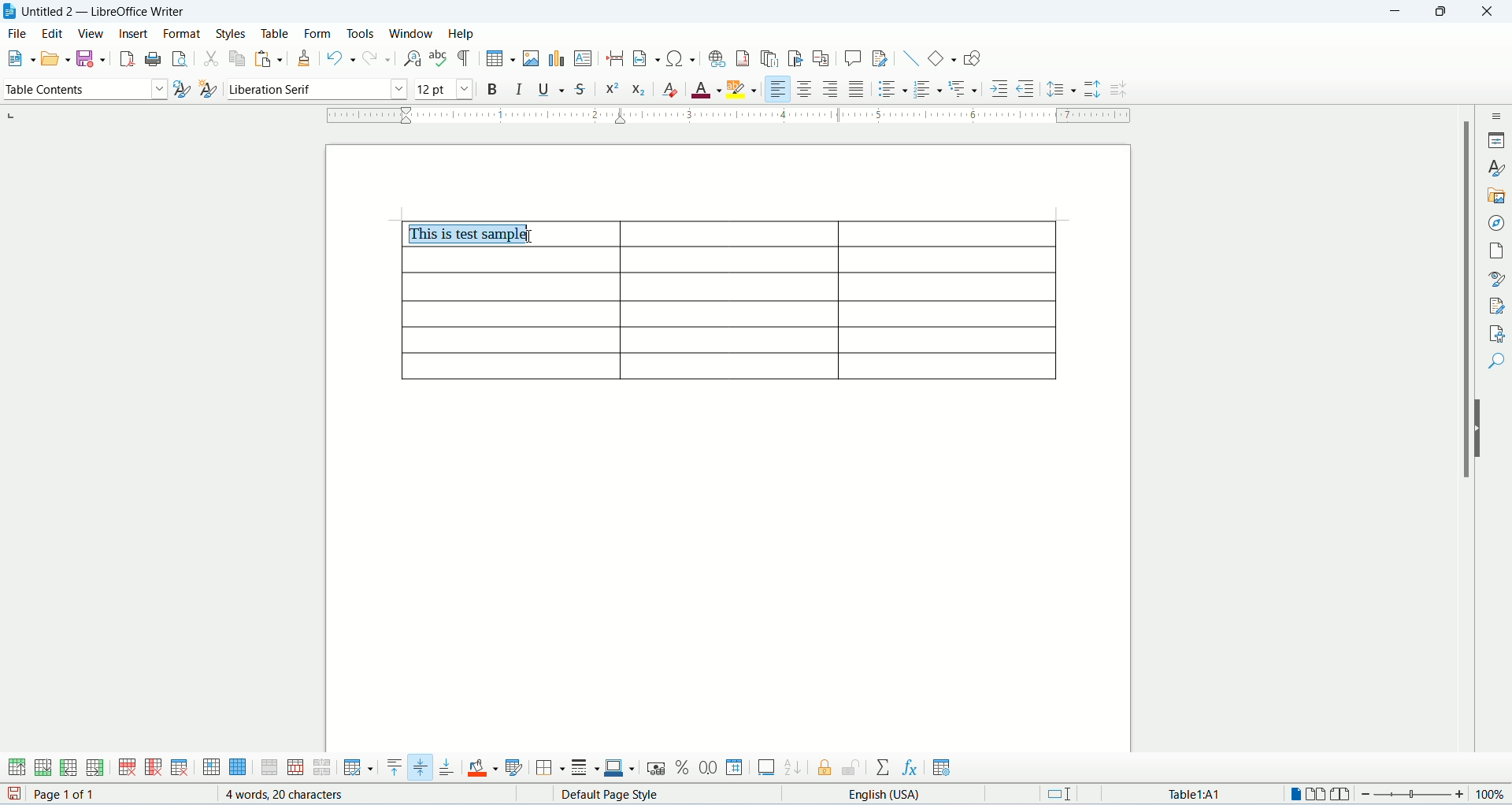 The width and height of the screenshot is (1512, 805). Describe the element at coordinates (741, 88) in the screenshot. I see `character highlighting` at that location.